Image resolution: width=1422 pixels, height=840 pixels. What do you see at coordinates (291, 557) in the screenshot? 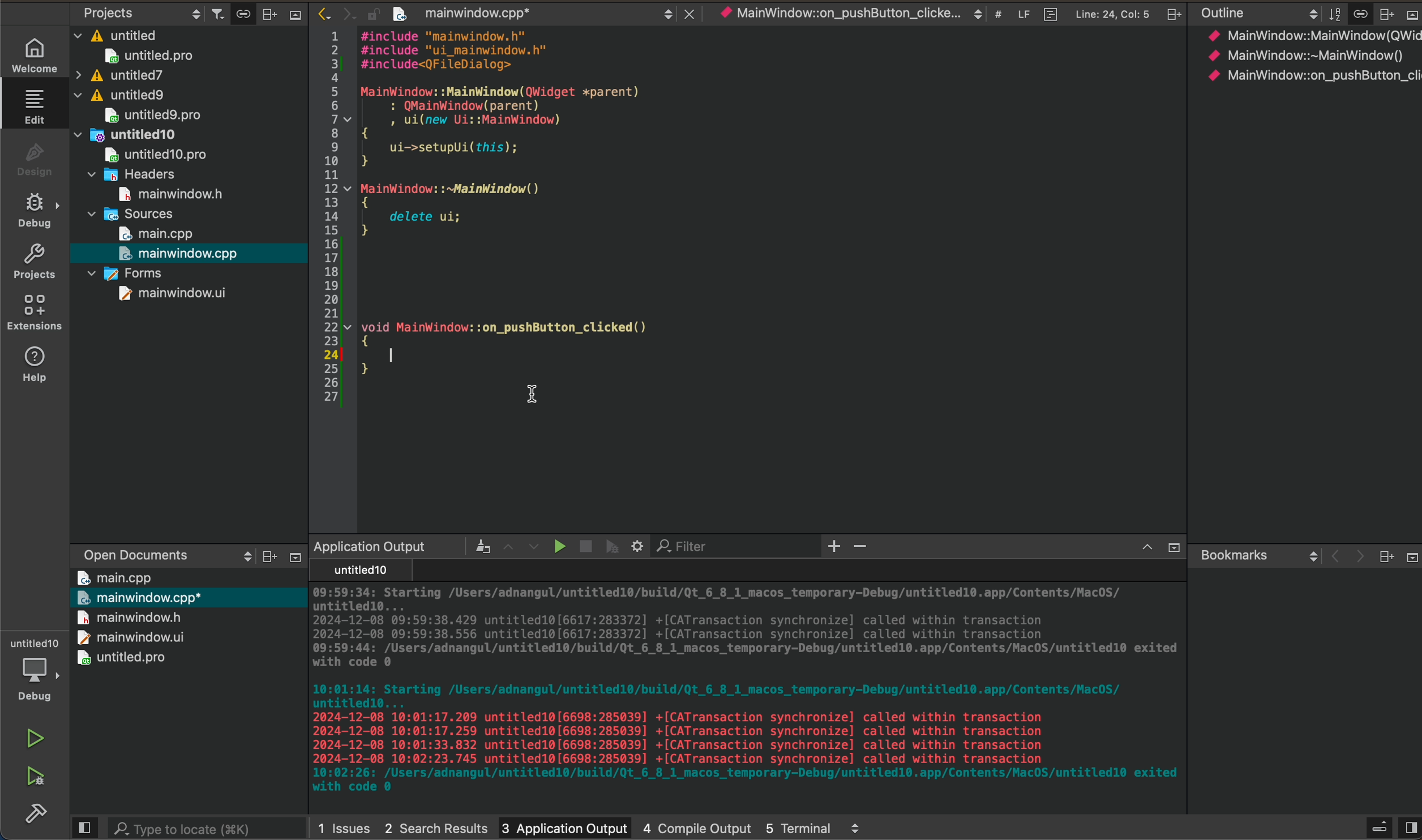
I see `` at bounding box center [291, 557].